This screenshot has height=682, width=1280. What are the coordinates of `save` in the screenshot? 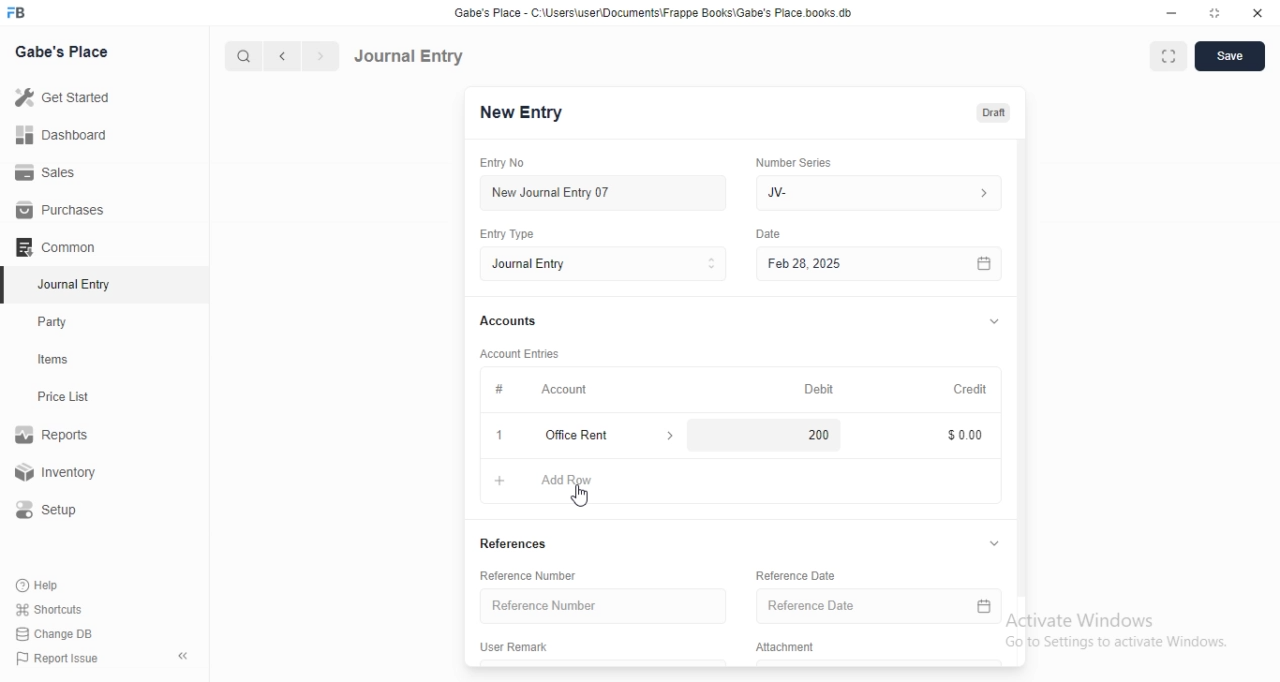 It's located at (1231, 56).